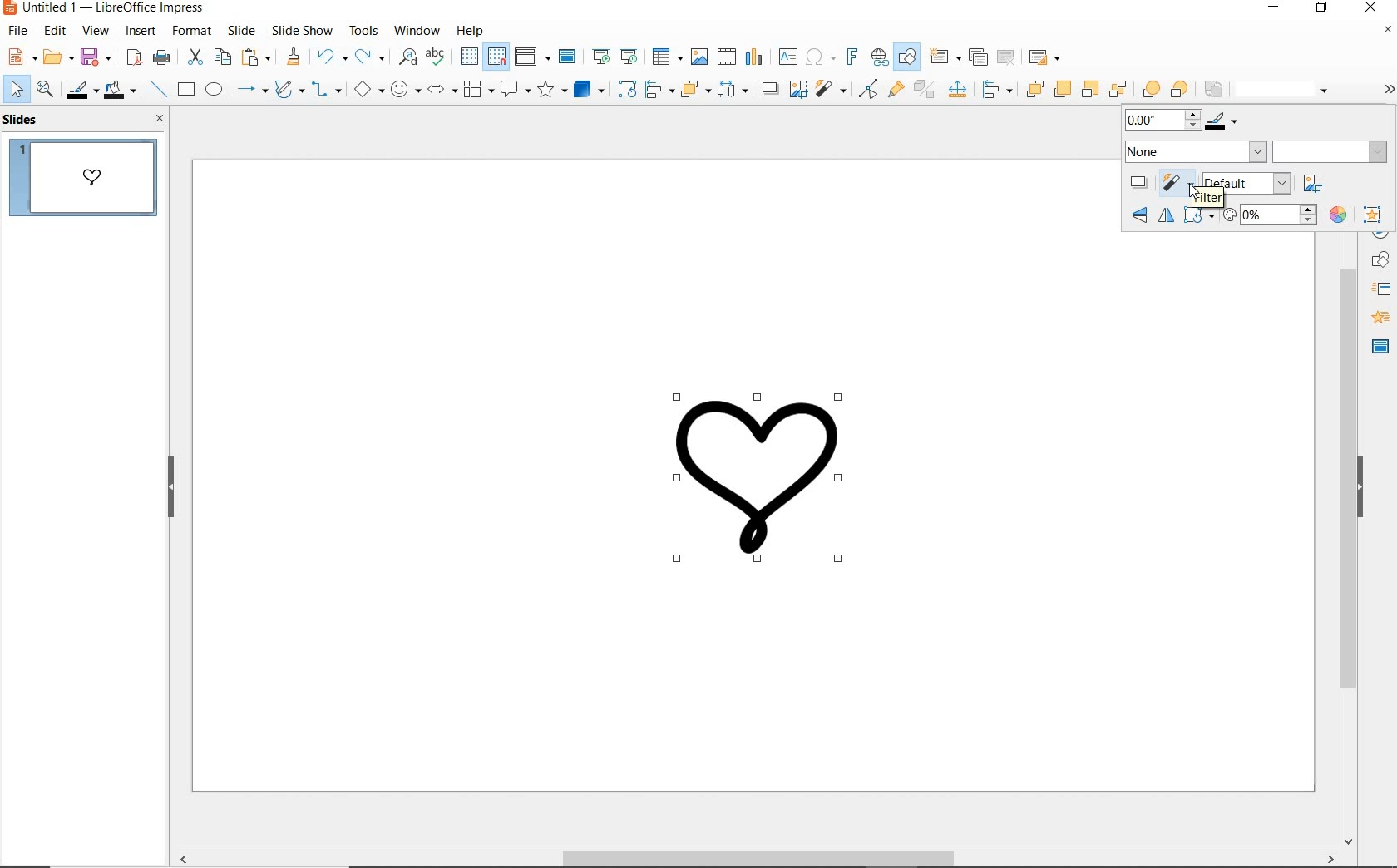  Describe the element at coordinates (1314, 182) in the screenshot. I see `crop image` at that location.